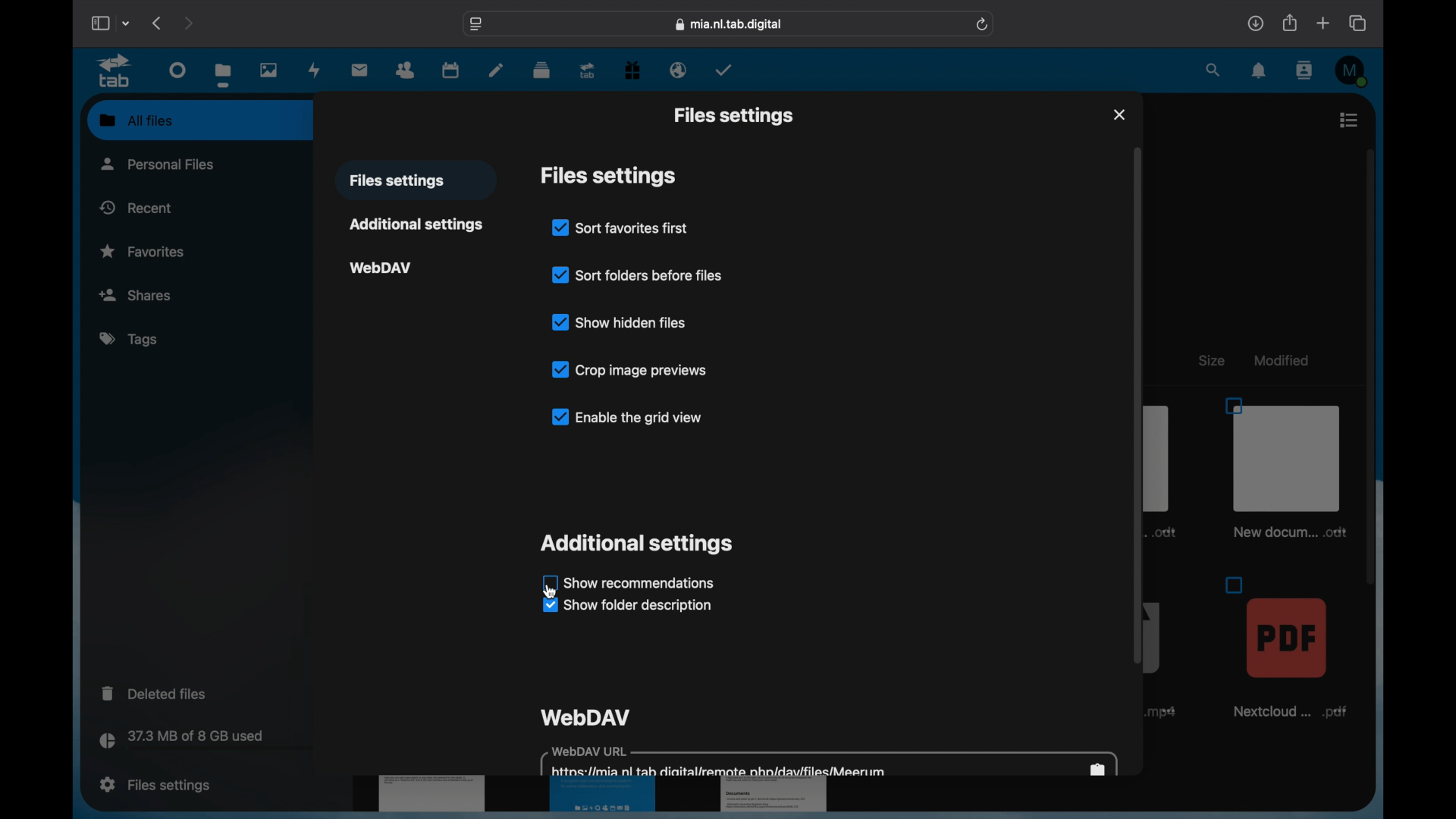 The image size is (1456, 819). I want to click on contacts, so click(406, 71).